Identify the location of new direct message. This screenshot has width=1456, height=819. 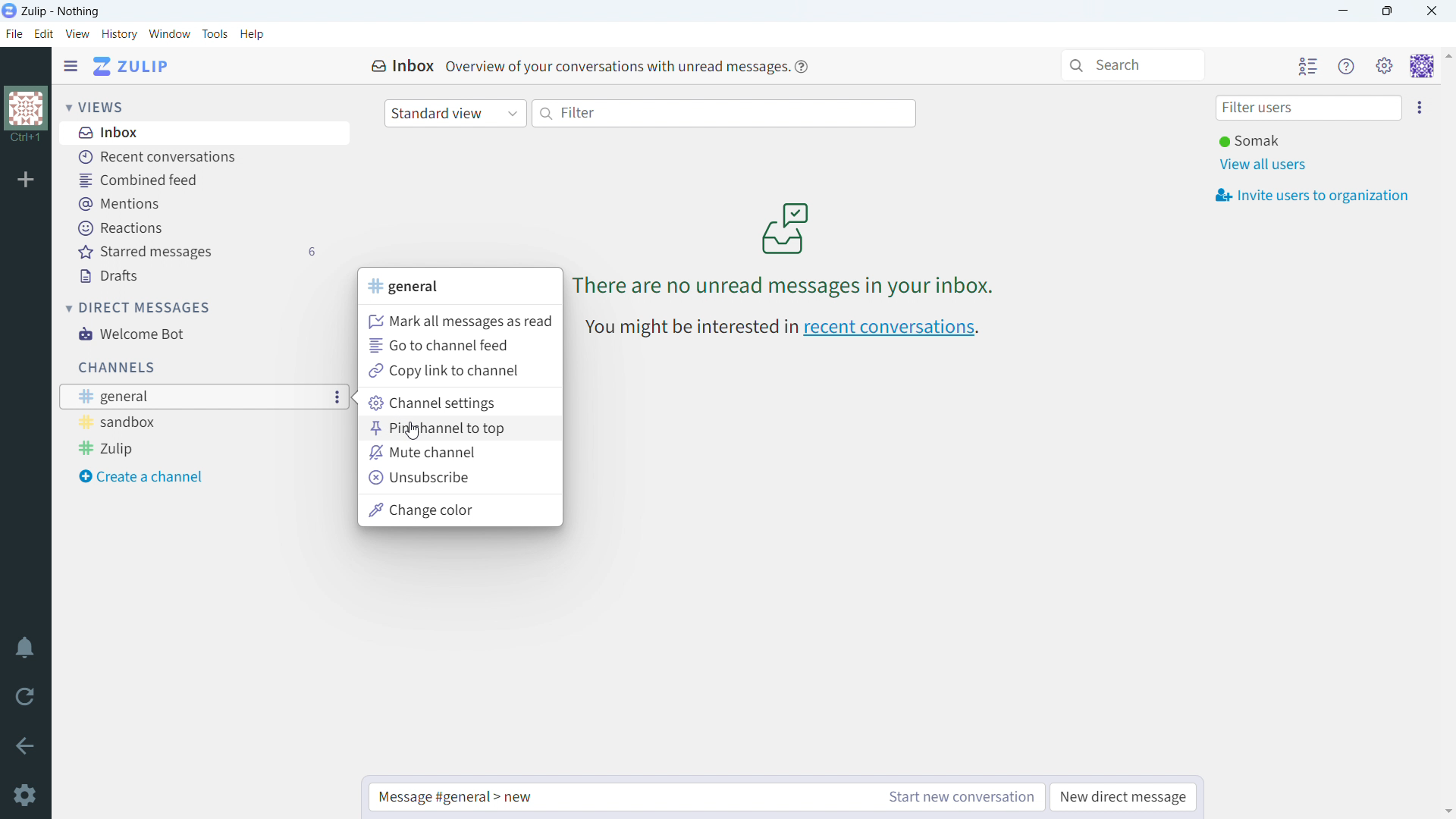
(1125, 797).